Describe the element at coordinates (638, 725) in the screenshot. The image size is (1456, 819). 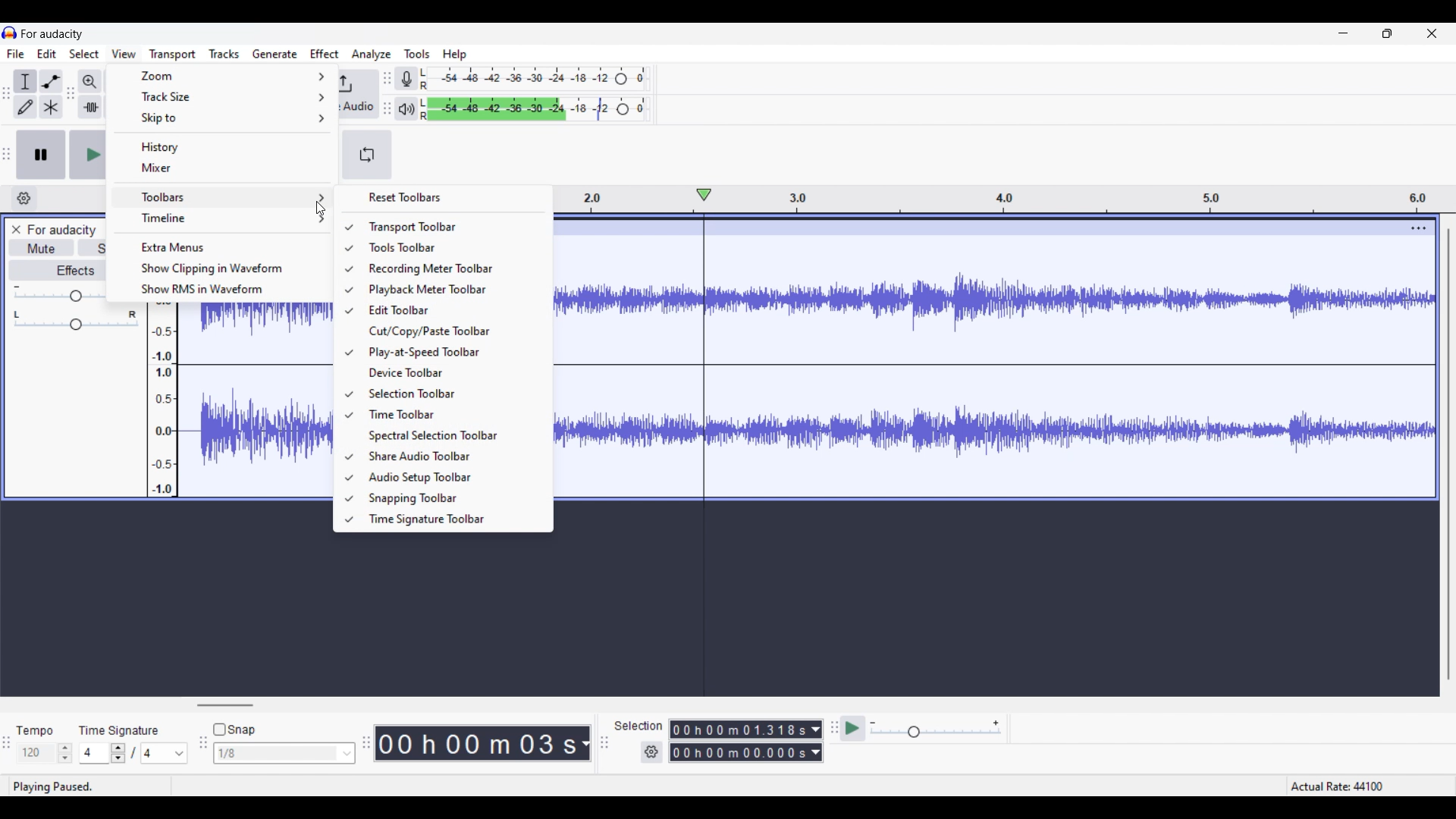
I see `Indicates selection duration settings` at that location.